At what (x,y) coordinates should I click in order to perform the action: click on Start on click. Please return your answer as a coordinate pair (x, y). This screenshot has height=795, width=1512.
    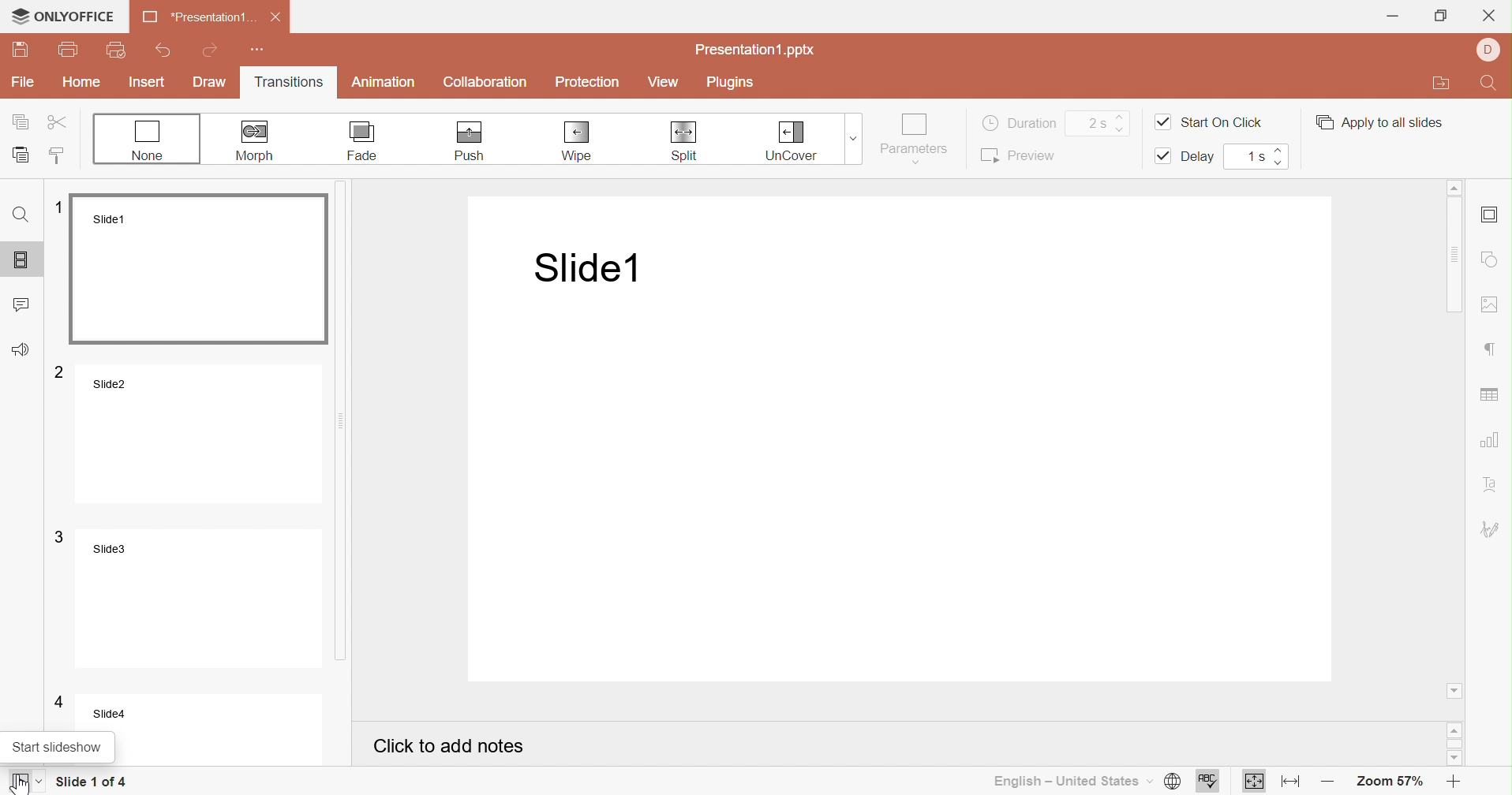
    Looking at the image, I should click on (1209, 121).